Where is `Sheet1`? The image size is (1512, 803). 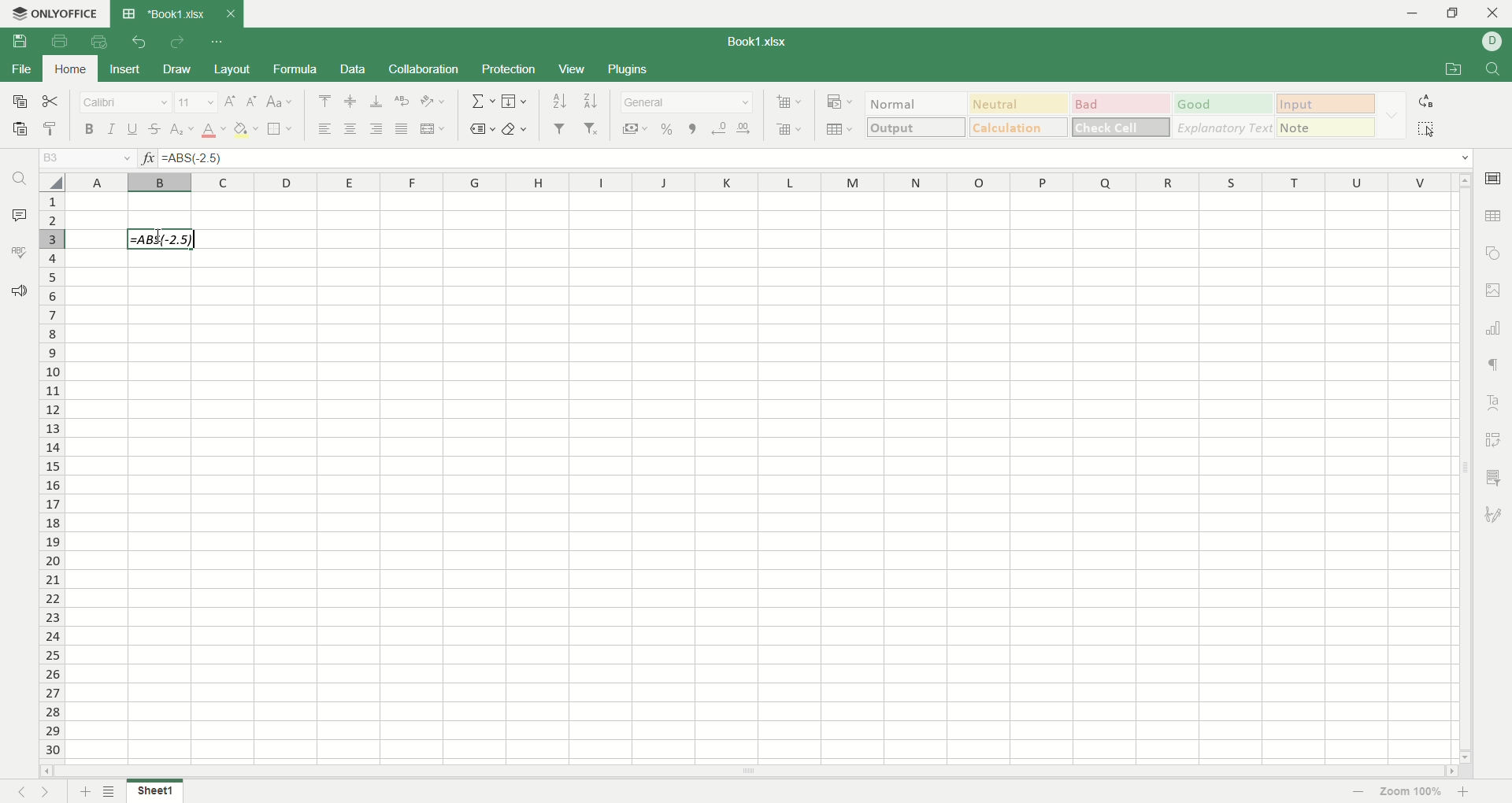
Sheet1 is located at coordinates (155, 790).